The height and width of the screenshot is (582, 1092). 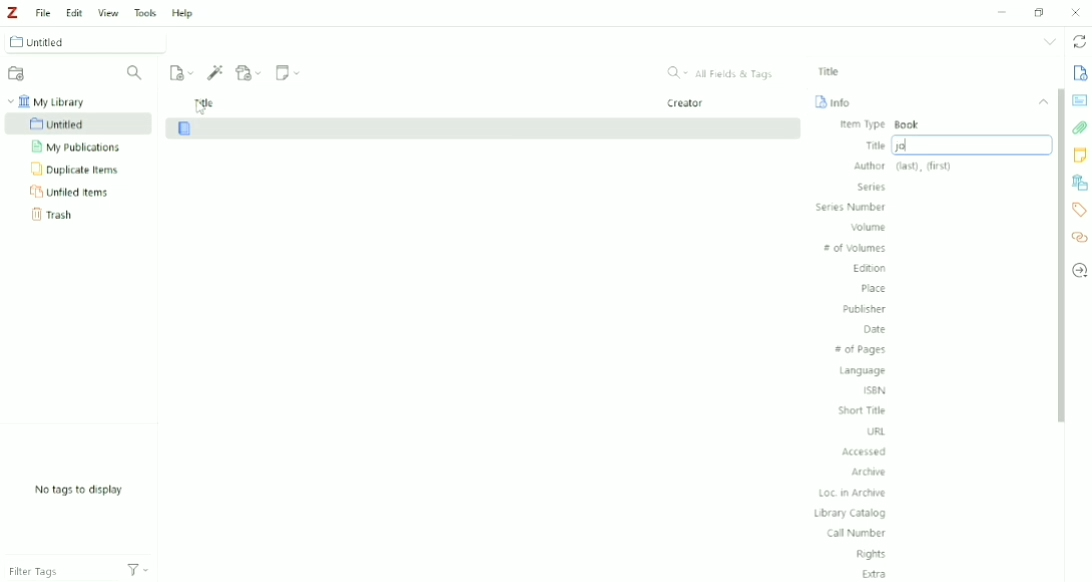 I want to click on Restore down, so click(x=1041, y=11).